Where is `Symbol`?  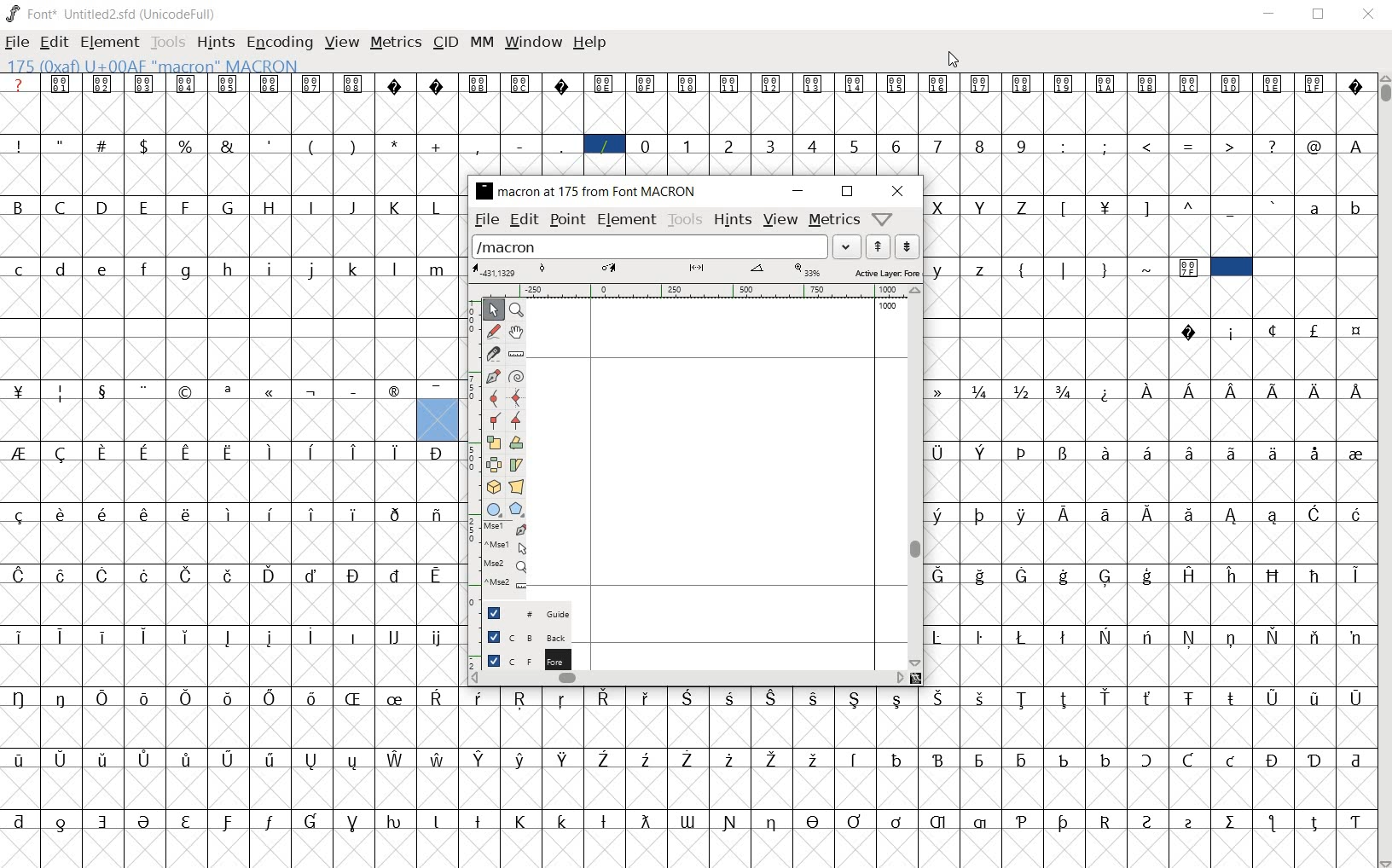 Symbol is located at coordinates (1022, 83).